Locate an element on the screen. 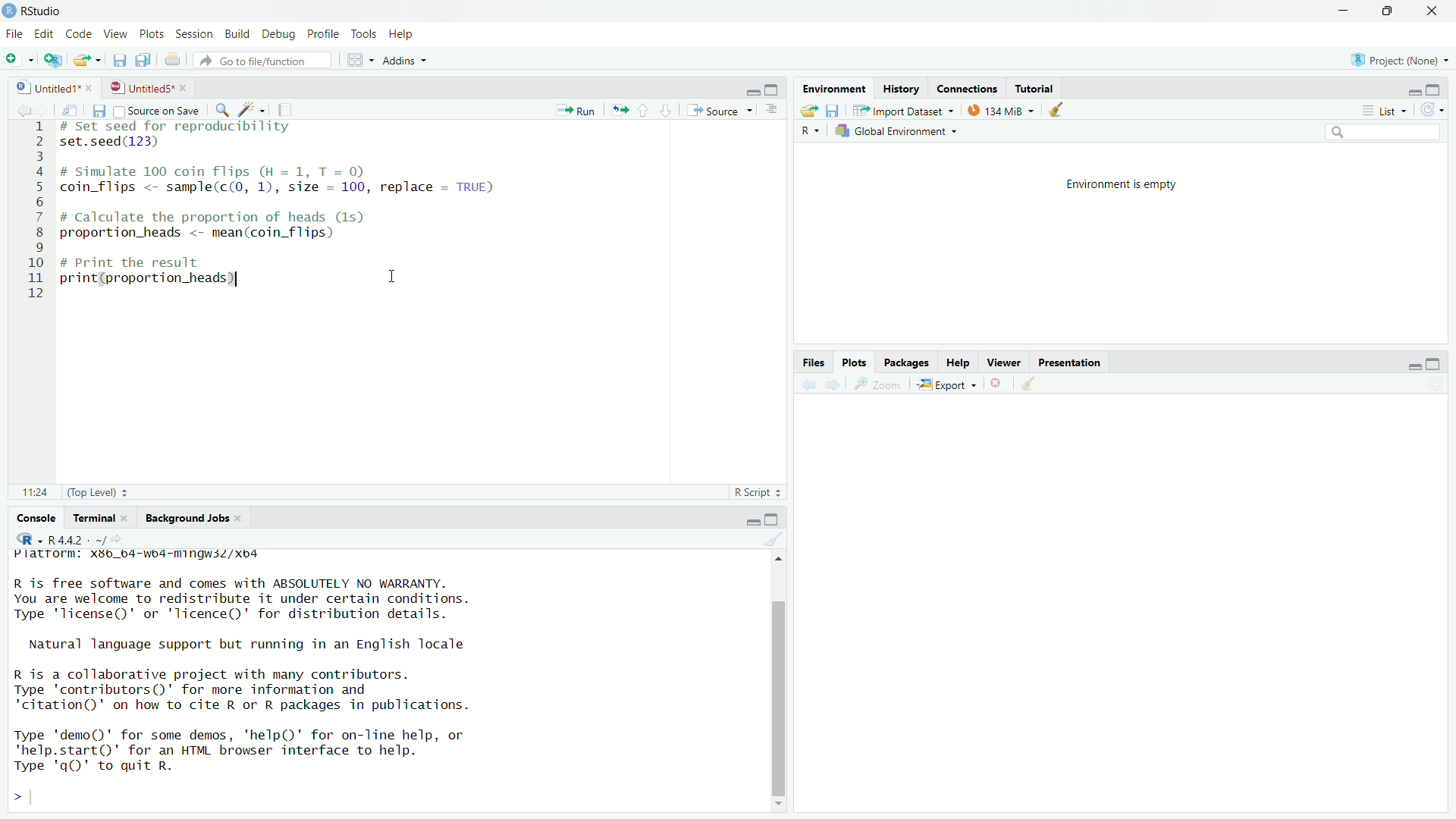  remove the current plot is located at coordinates (997, 383).